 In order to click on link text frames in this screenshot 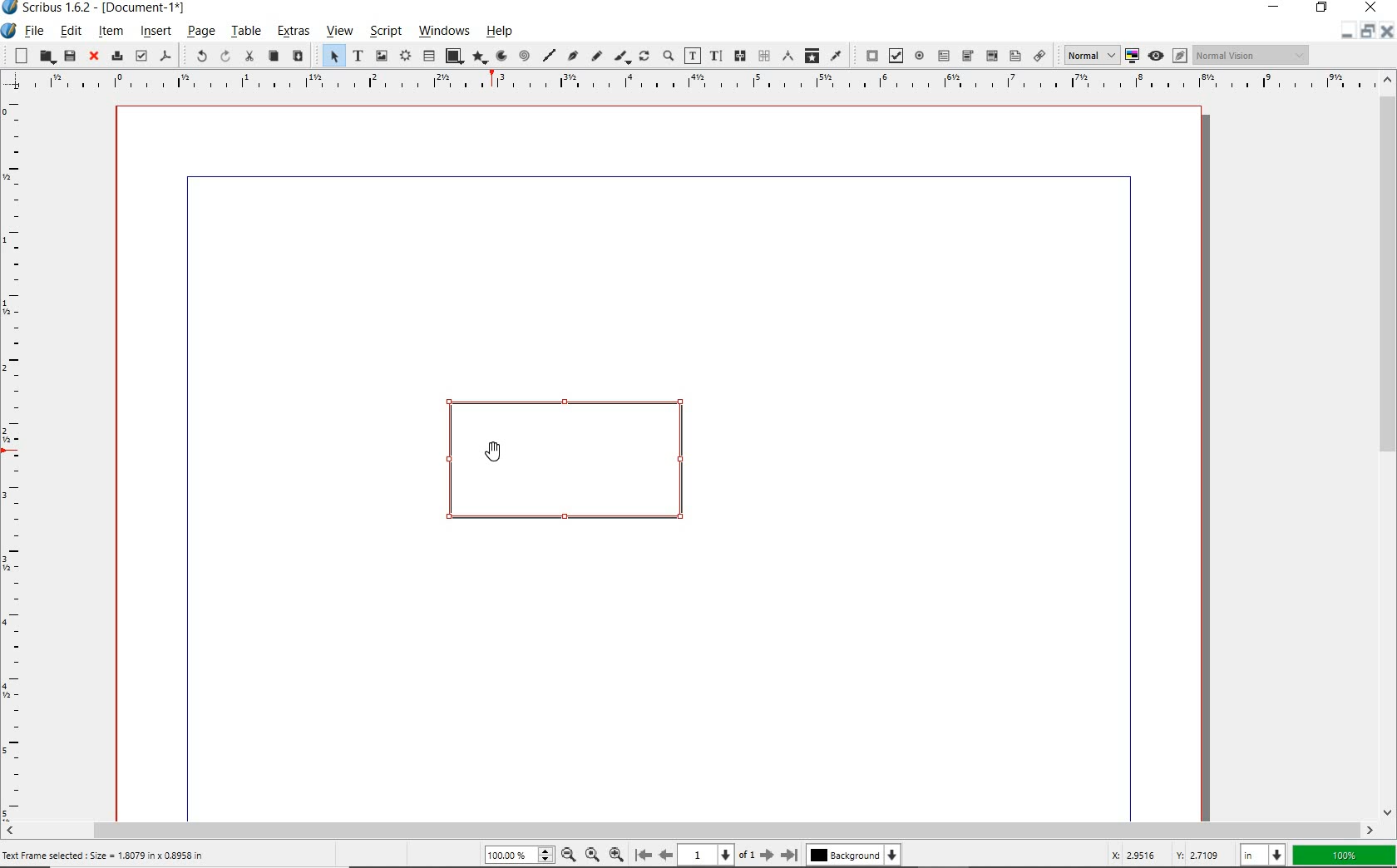, I will do `click(741, 56)`.